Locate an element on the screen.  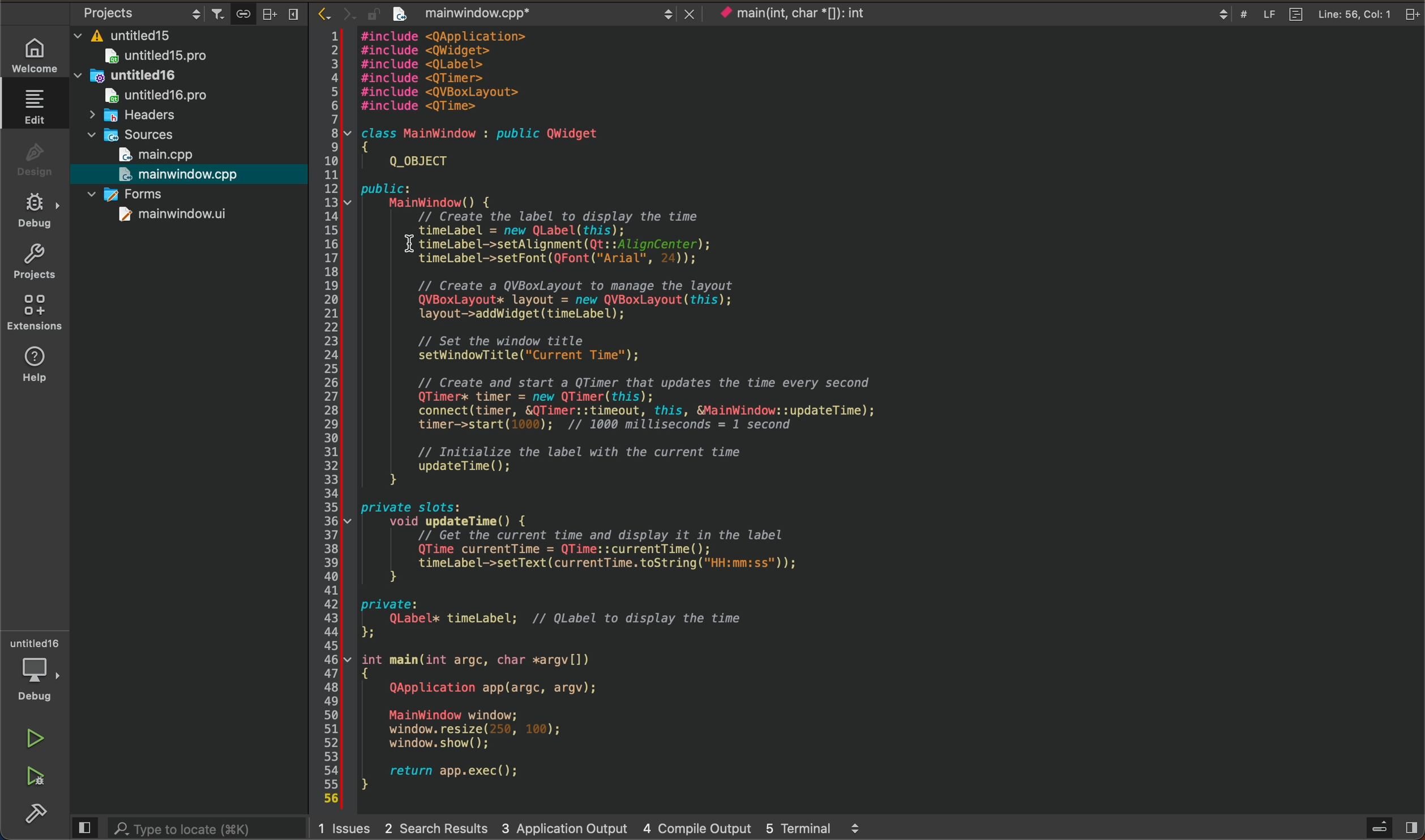
split tab is located at coordinates (1413, 14).